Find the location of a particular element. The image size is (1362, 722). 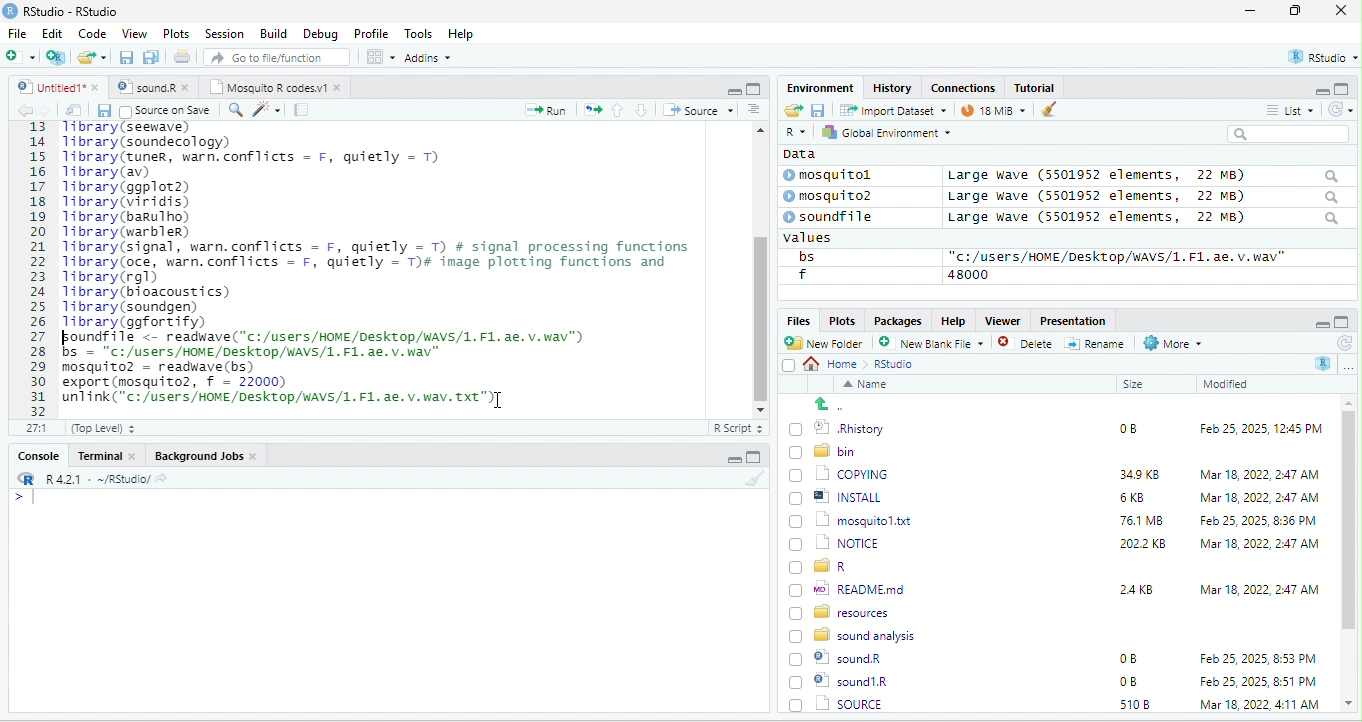

Size is located at coordinates (1134, 385).